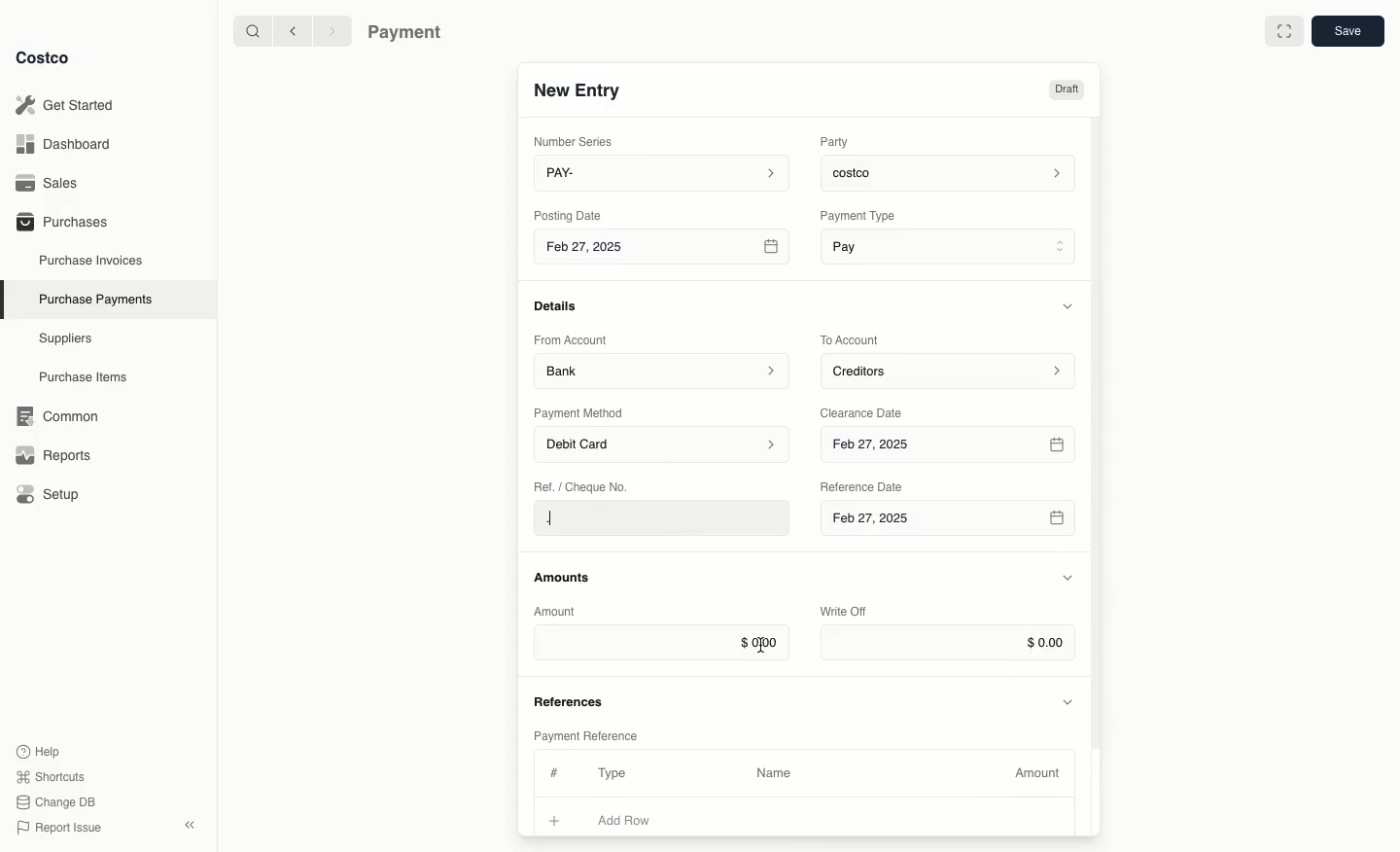 The height and width of the screenshot is (852, 1400). What do you see at coordinates (66, 337) in the screenshot?
I see `Suppliers` at bounding box center [66, 337].